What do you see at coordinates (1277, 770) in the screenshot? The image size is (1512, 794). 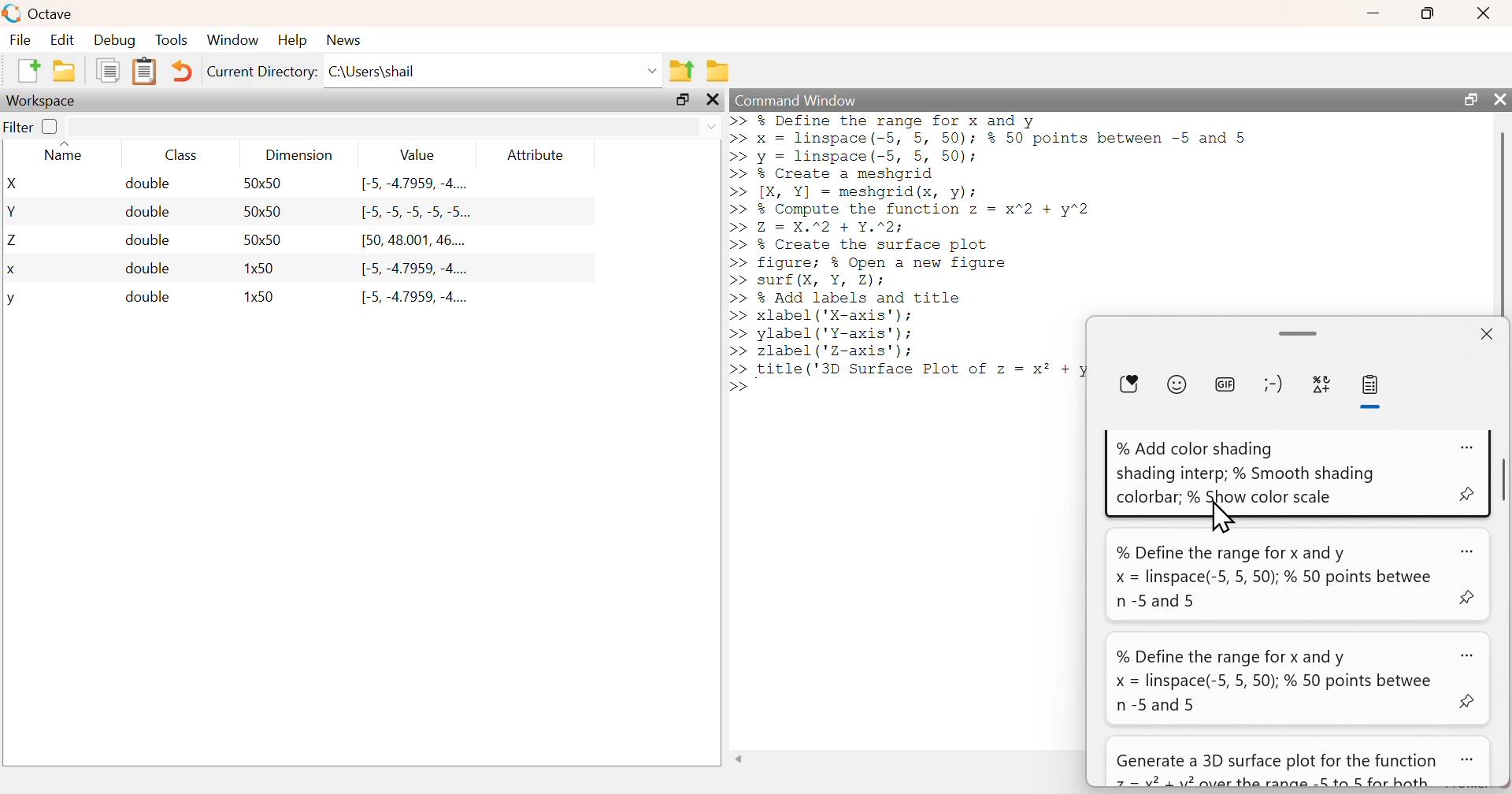 I see `Generate a 3D surface plot for the function7 — 2 2 ar the ranae 5 tn S for both` at bounding box center [1277, 770].